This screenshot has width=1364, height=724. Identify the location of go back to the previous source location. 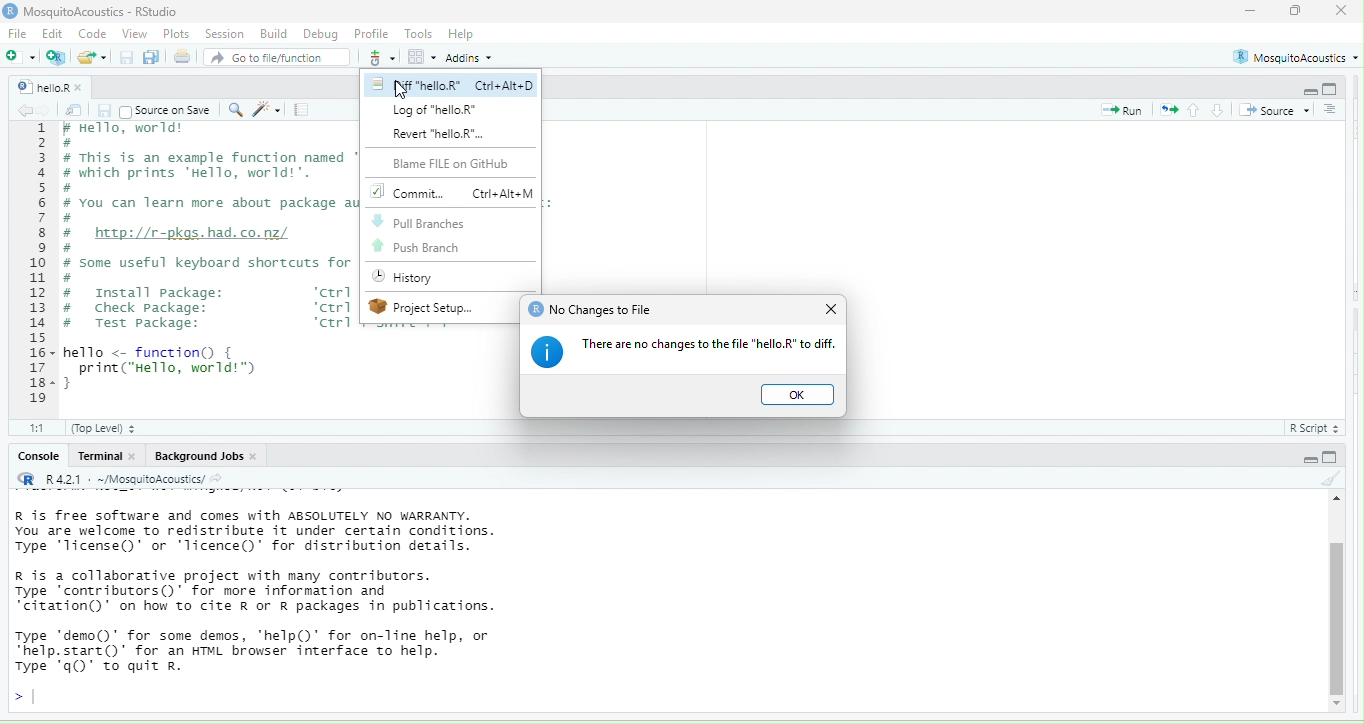
(26, 110).